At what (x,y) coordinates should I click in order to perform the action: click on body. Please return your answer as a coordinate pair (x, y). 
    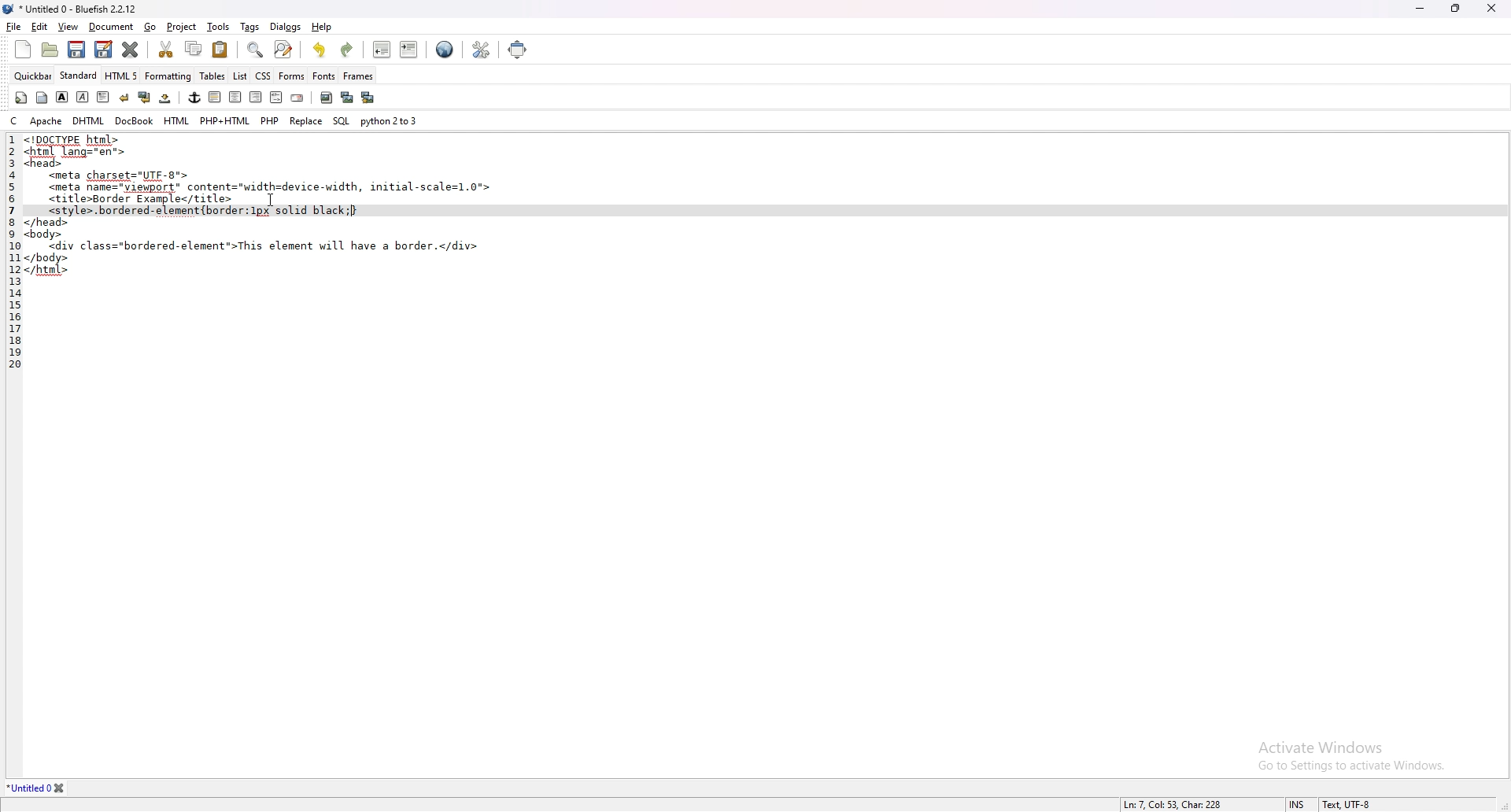
    Looking at the image, I should click on (42, 98).